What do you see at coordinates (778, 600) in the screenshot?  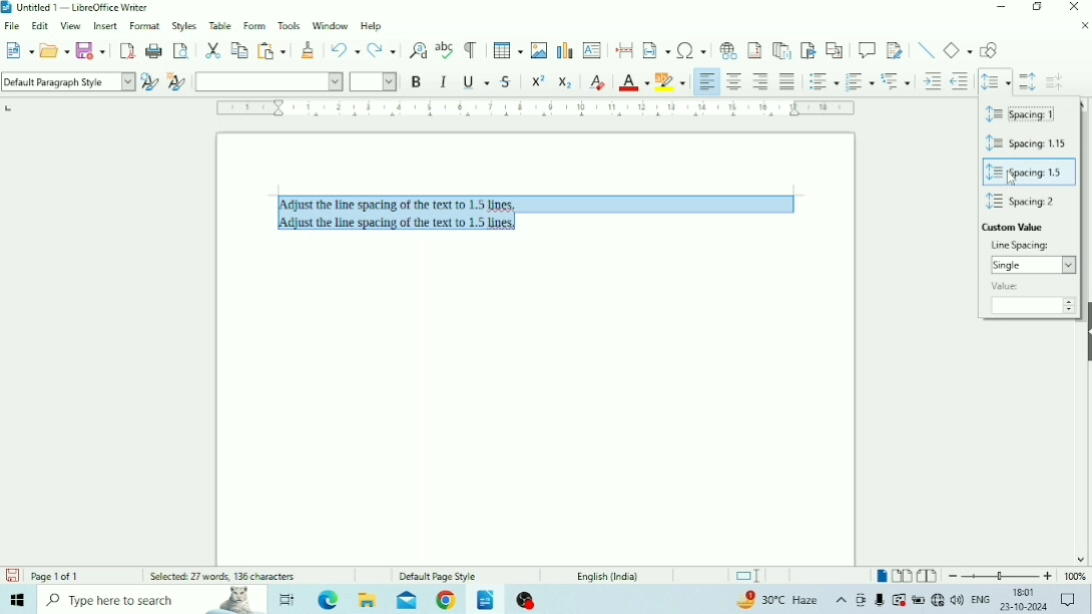 I see `Temperature` at bounding box center [778, 600].